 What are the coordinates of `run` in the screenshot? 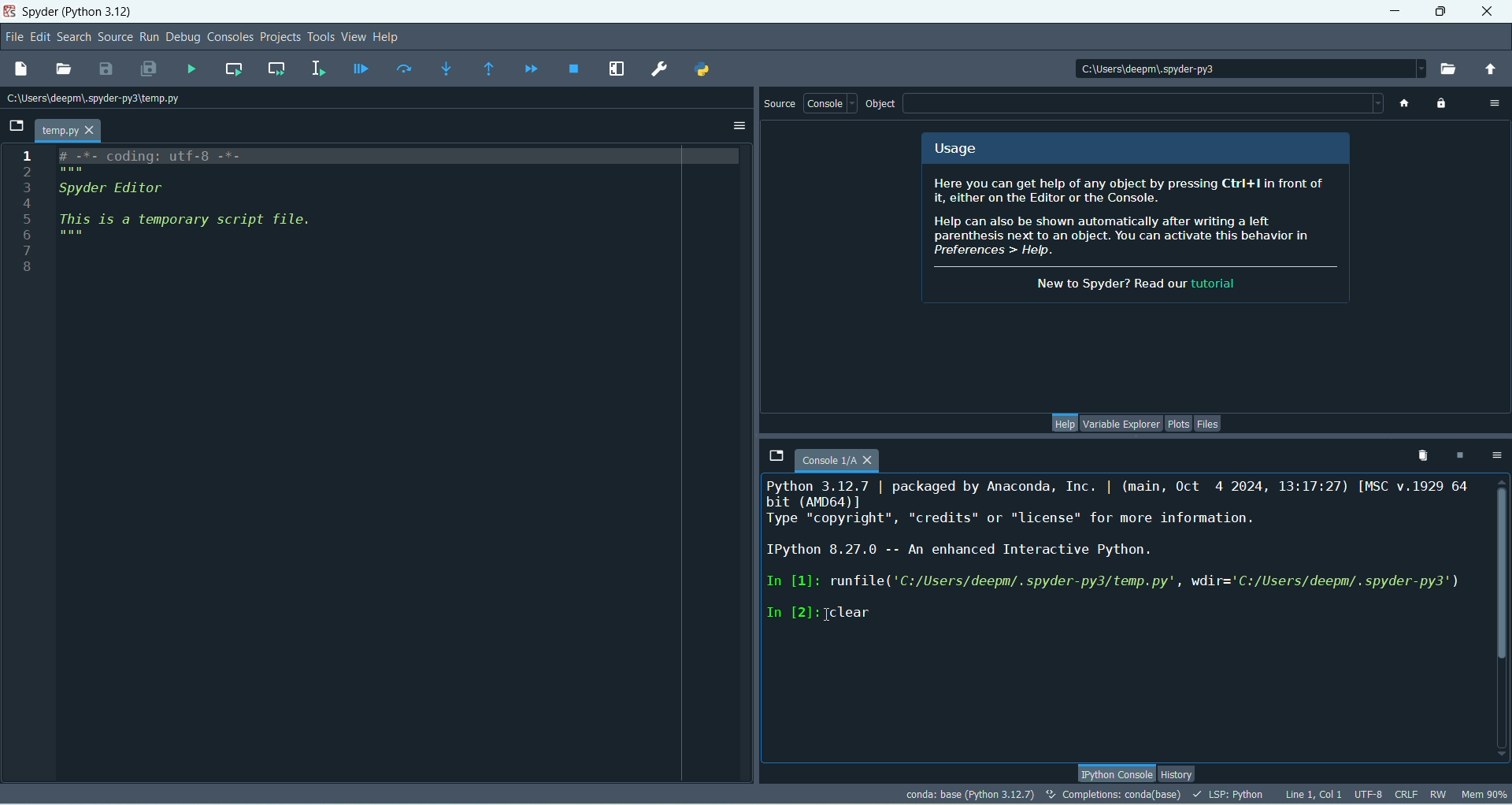 It's located at (148, 37).